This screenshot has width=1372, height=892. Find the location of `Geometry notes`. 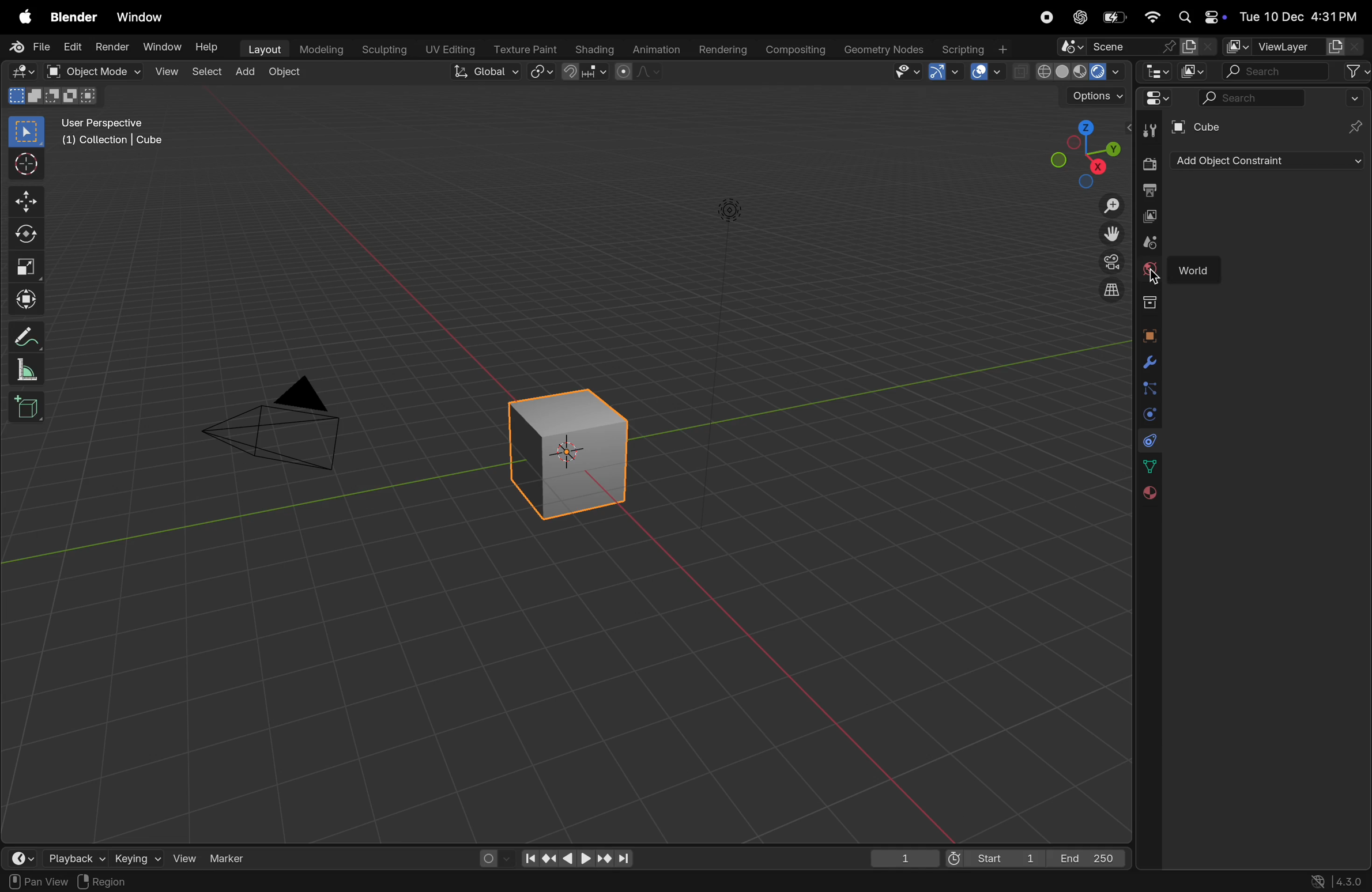

Geometry notes is located at coordinates (882, 49).